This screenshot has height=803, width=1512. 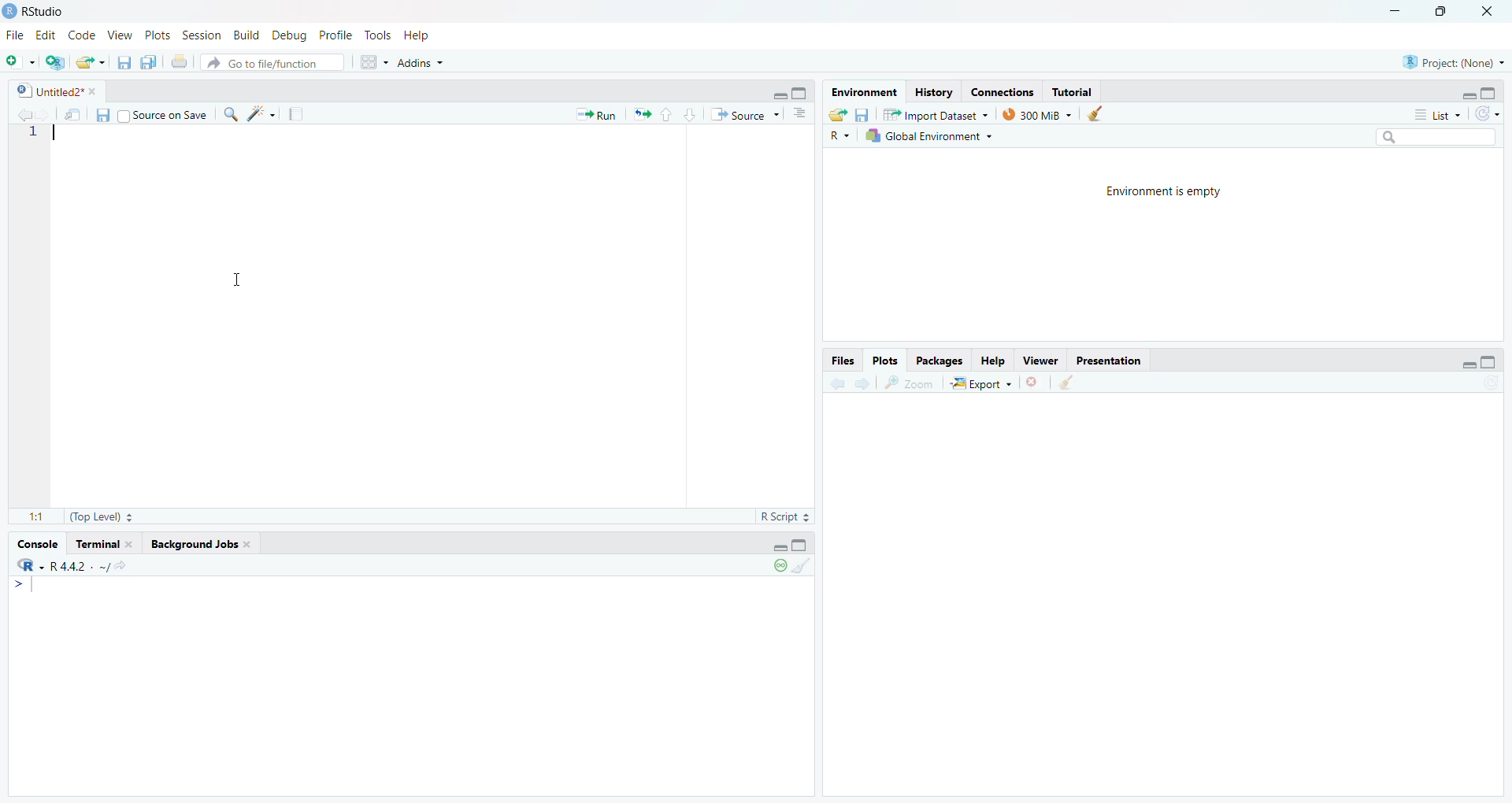 I want to click on print the current file, so click(x=176, y=61).